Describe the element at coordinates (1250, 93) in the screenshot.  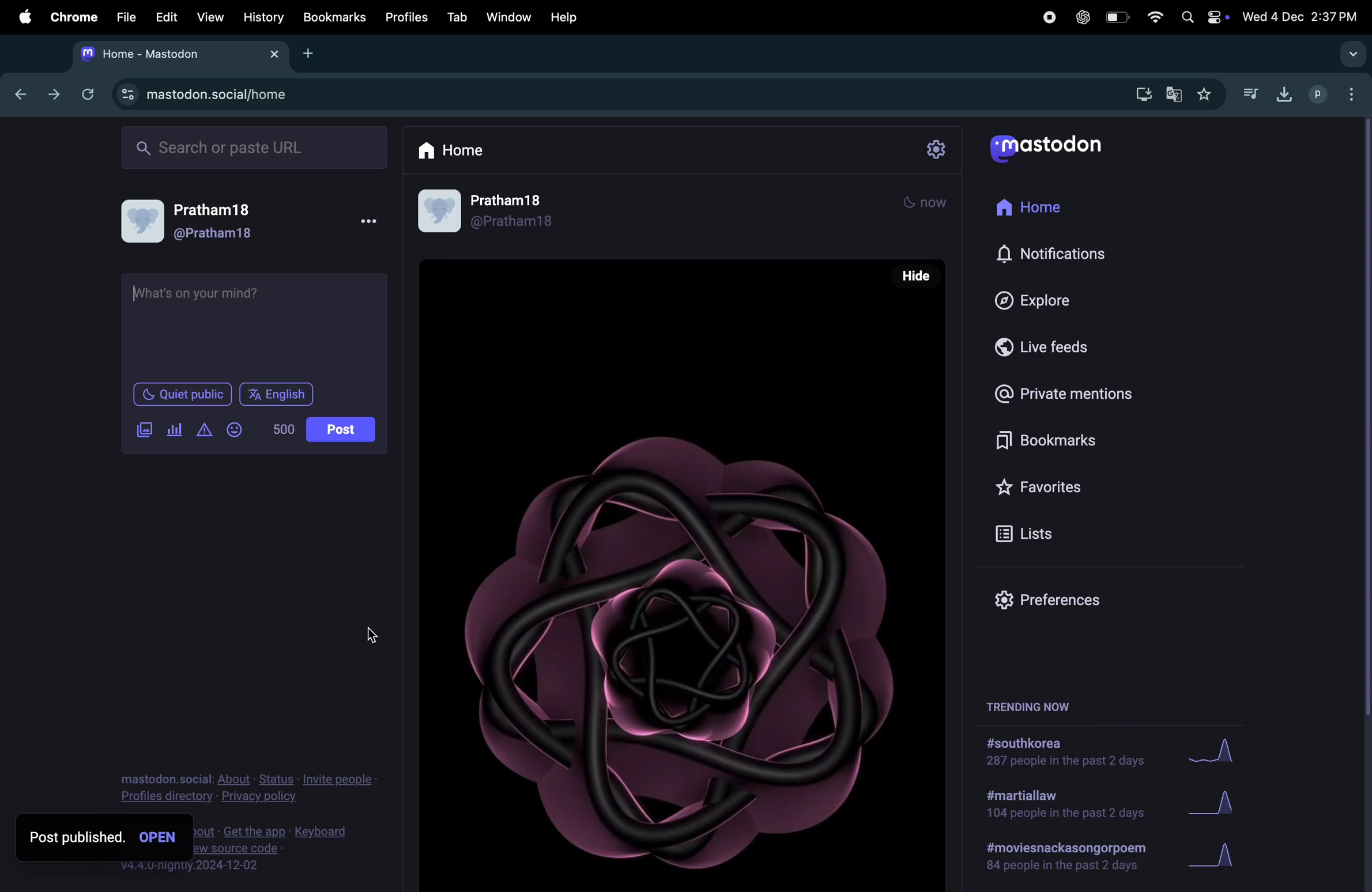
I see `music` at that location.